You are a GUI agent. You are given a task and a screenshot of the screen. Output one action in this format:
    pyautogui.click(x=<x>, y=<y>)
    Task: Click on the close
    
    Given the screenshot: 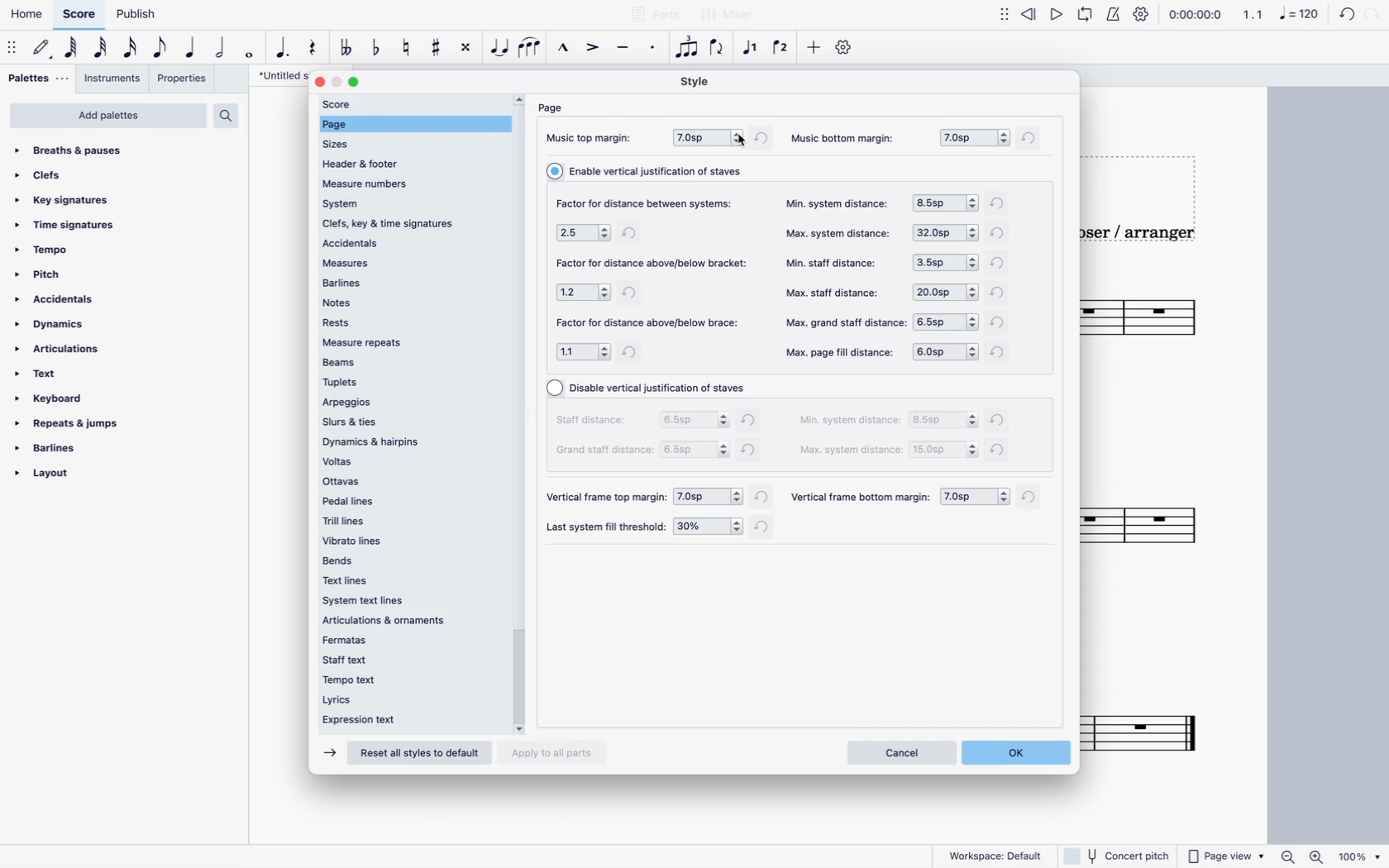 What is the action you would take?
    pyautogui.click(x=318, y=81)
    